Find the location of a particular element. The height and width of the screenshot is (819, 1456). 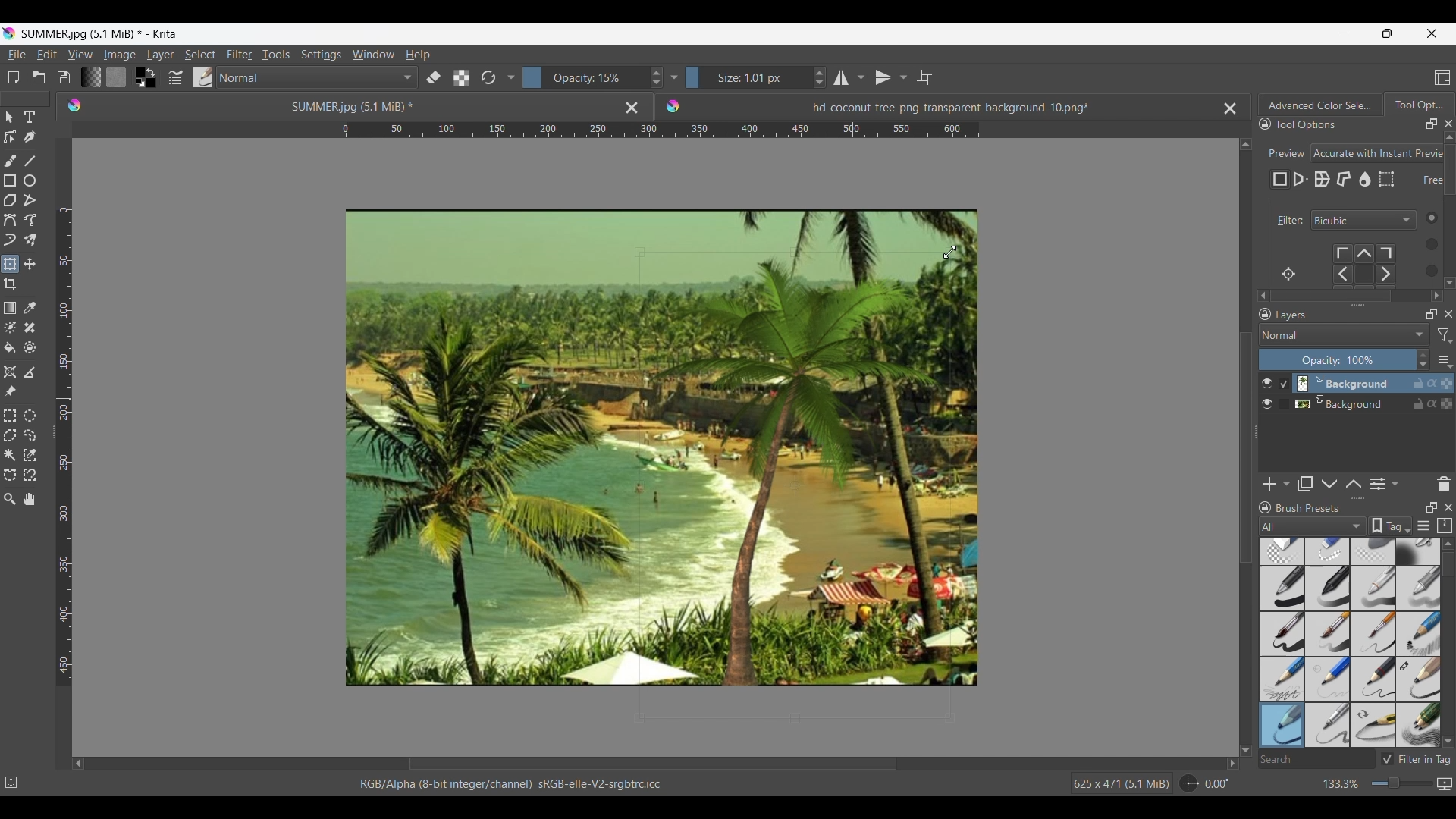

Lock Layers is located at coordinates (1265, 314).